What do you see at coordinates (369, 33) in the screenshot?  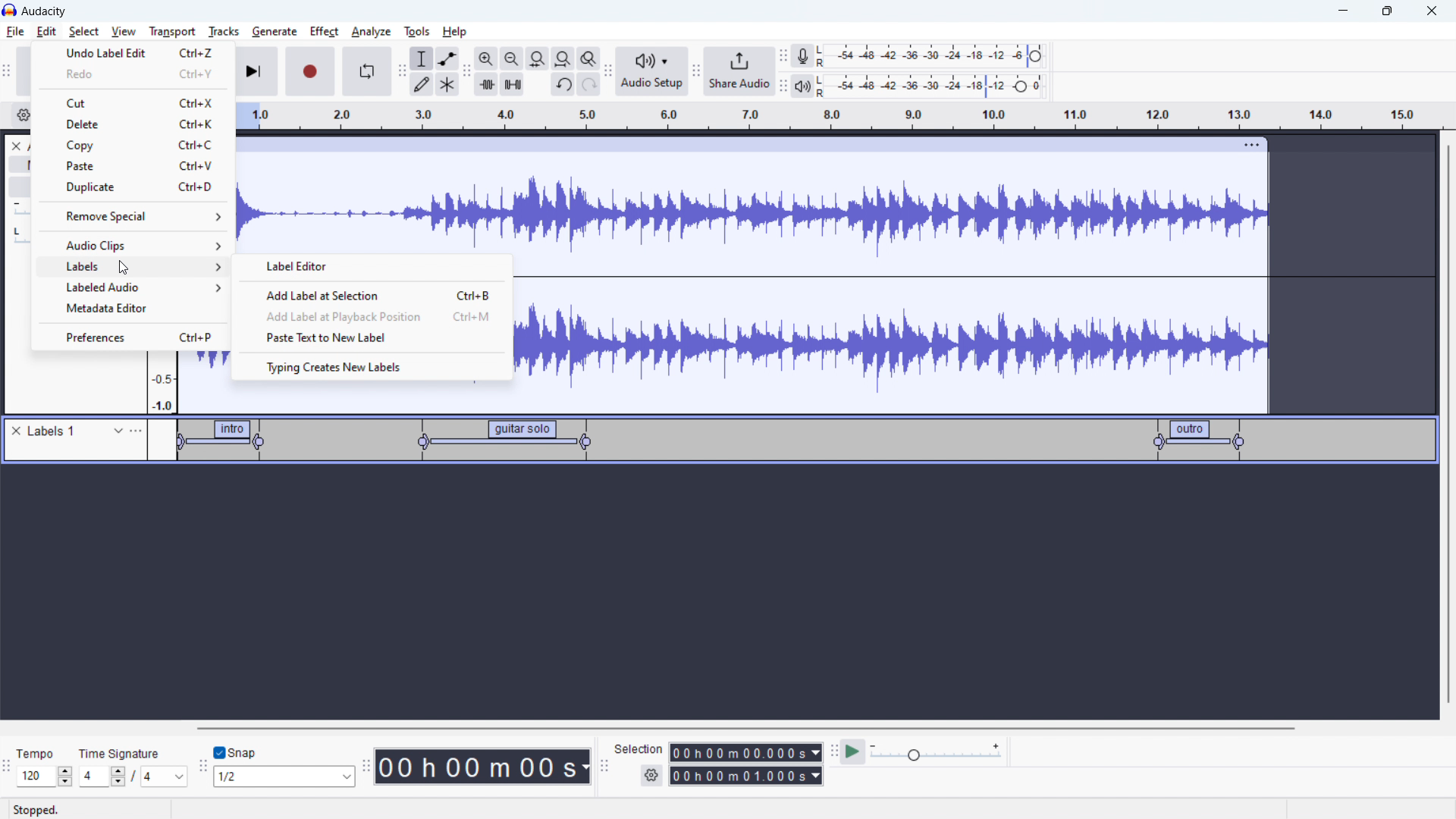 I see `analyze` at bounding box center [369, 33].